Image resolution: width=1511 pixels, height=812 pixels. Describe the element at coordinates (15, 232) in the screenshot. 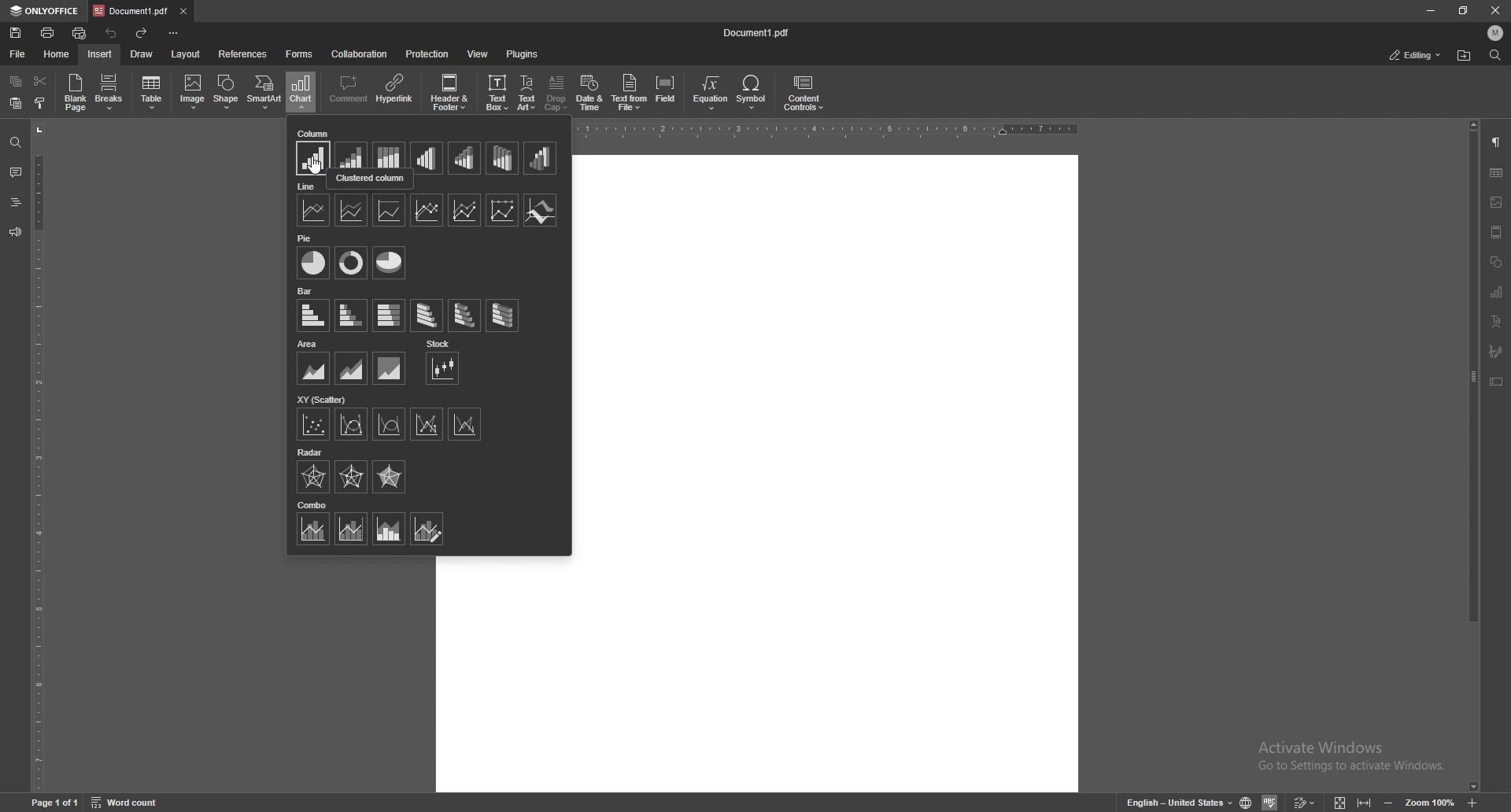

I see `feedback` at that location.